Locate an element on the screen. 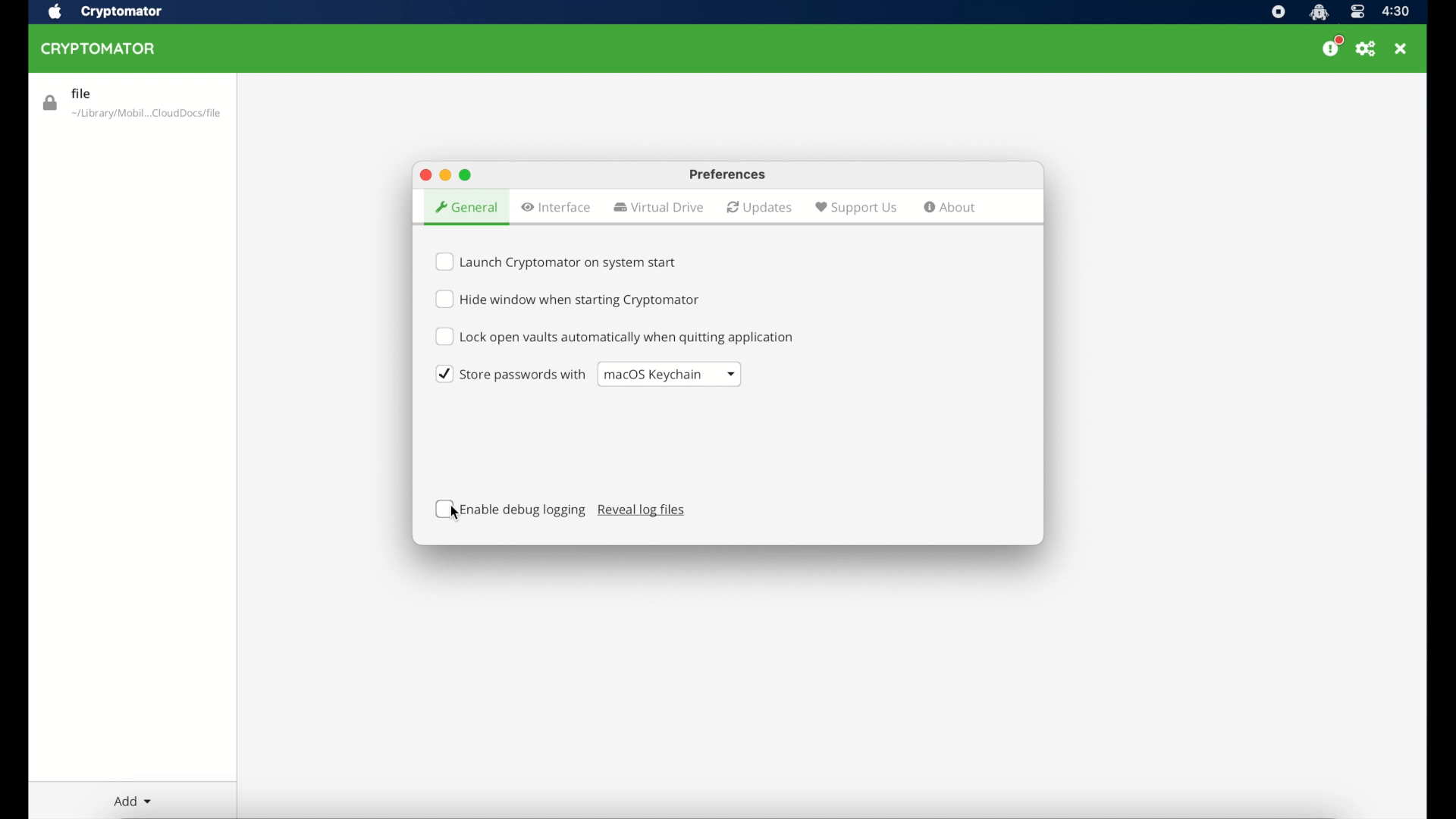  updates is located at coordinates (760, 208).